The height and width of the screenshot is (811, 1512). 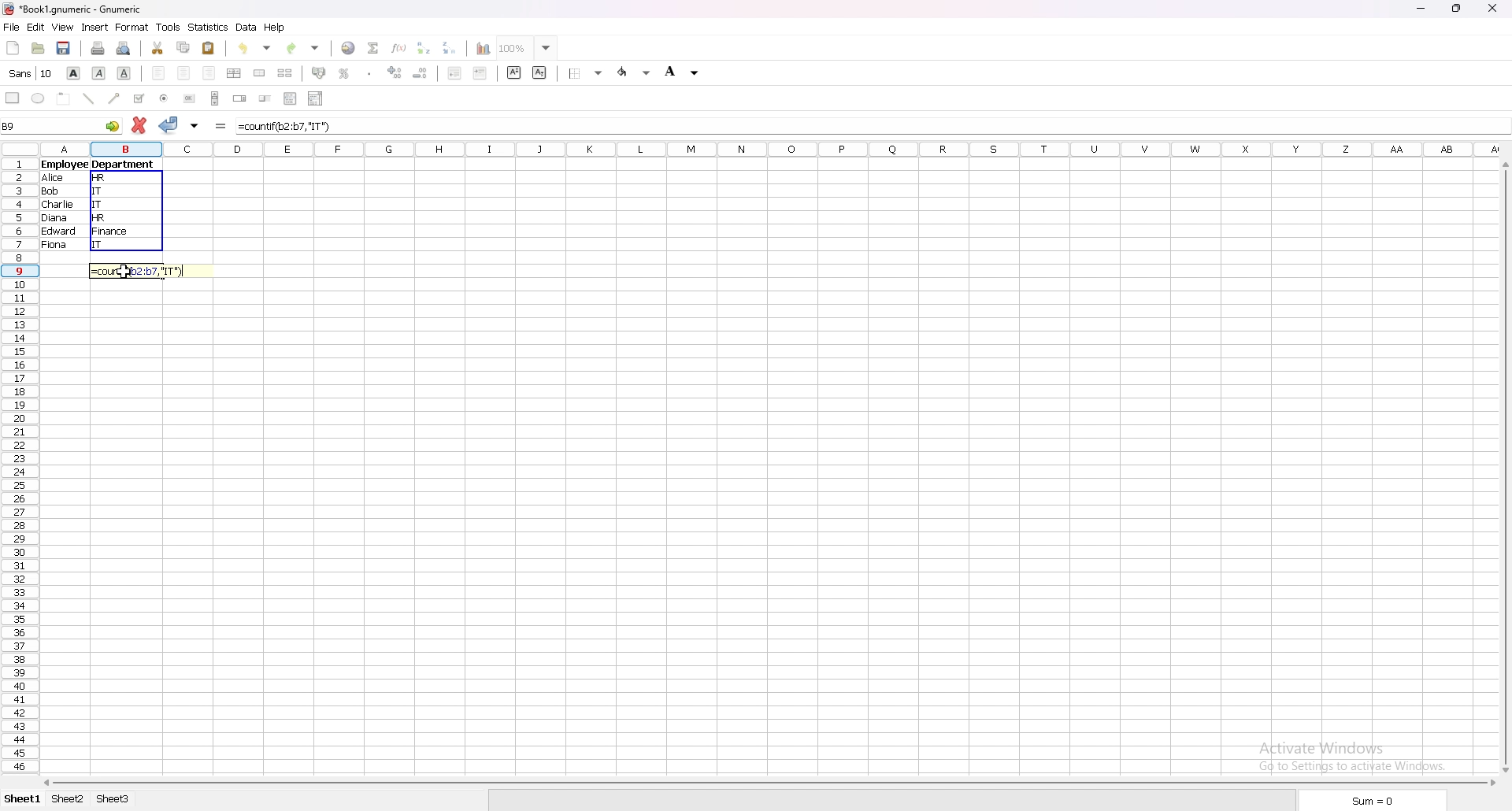 I want to click on new, so click(x=12, y=48).